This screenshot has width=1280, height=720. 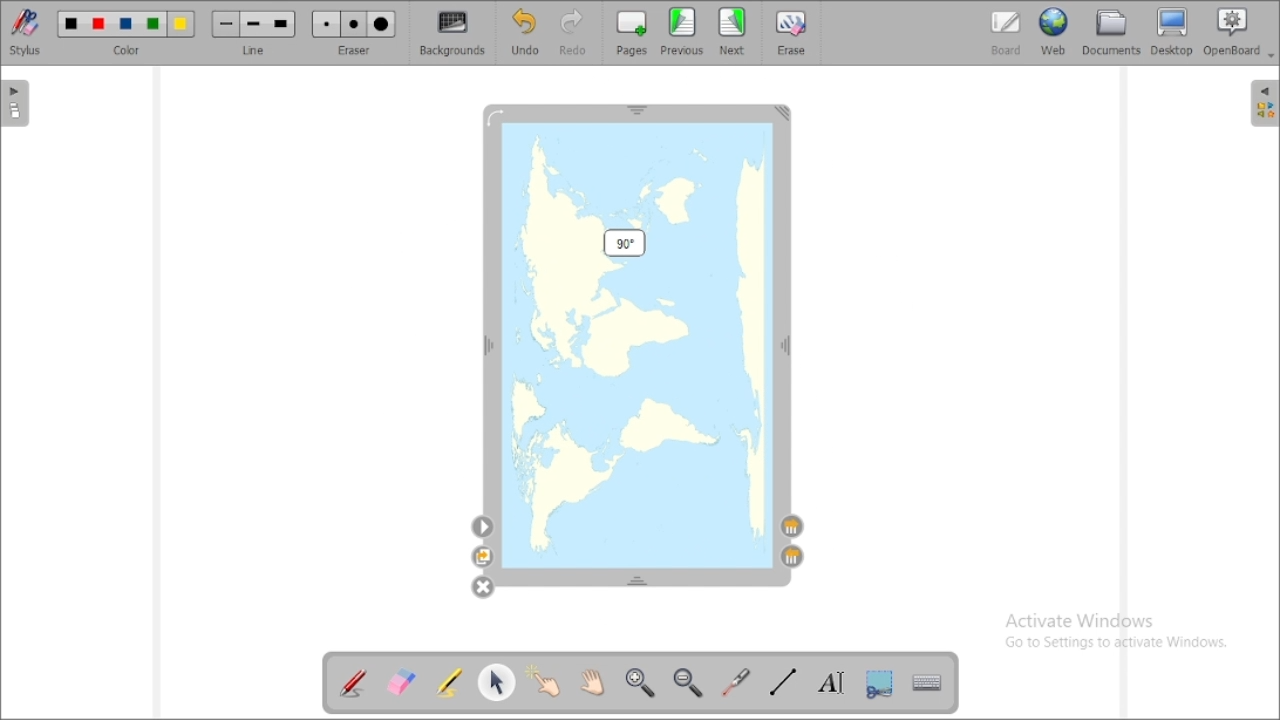 What do you see at coordinates (1172, 31) in the screenshot?
I see `desktop` at bounding box center [1172, 31].